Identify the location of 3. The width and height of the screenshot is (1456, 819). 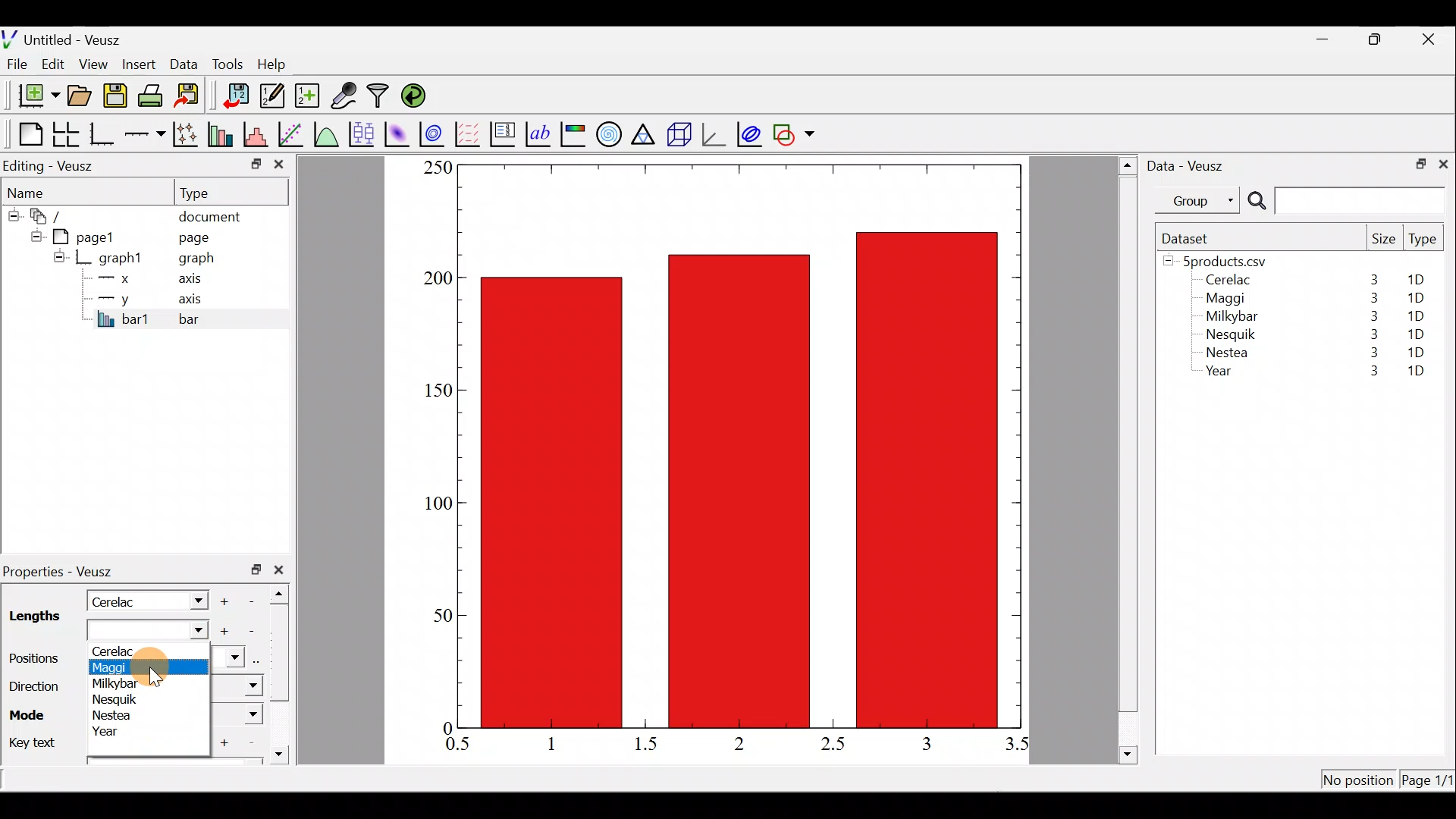
(1366, 372).